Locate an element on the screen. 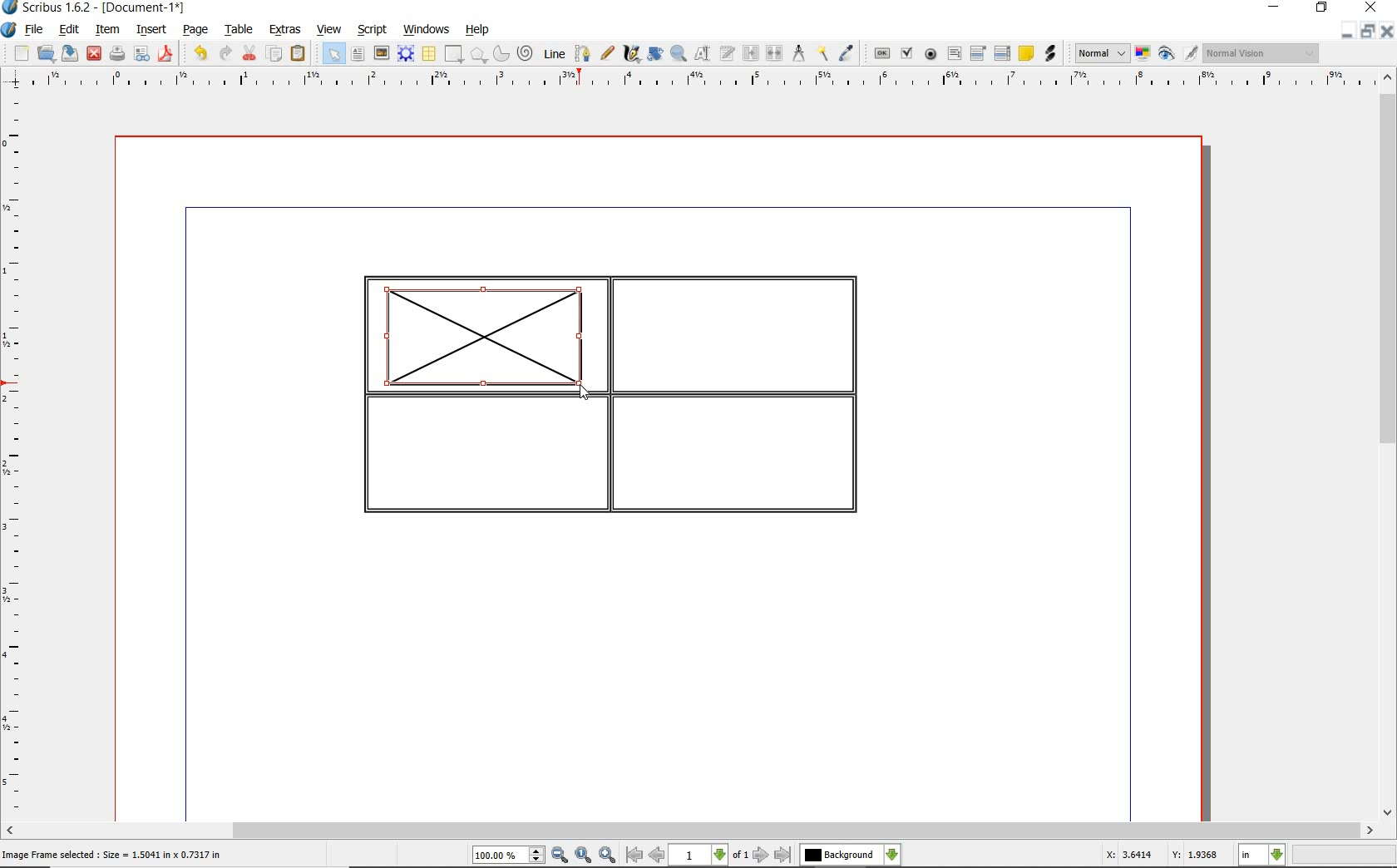 The width and height of the screenshot is (1397, 868). rotate item is located at coordinates (654, 55).